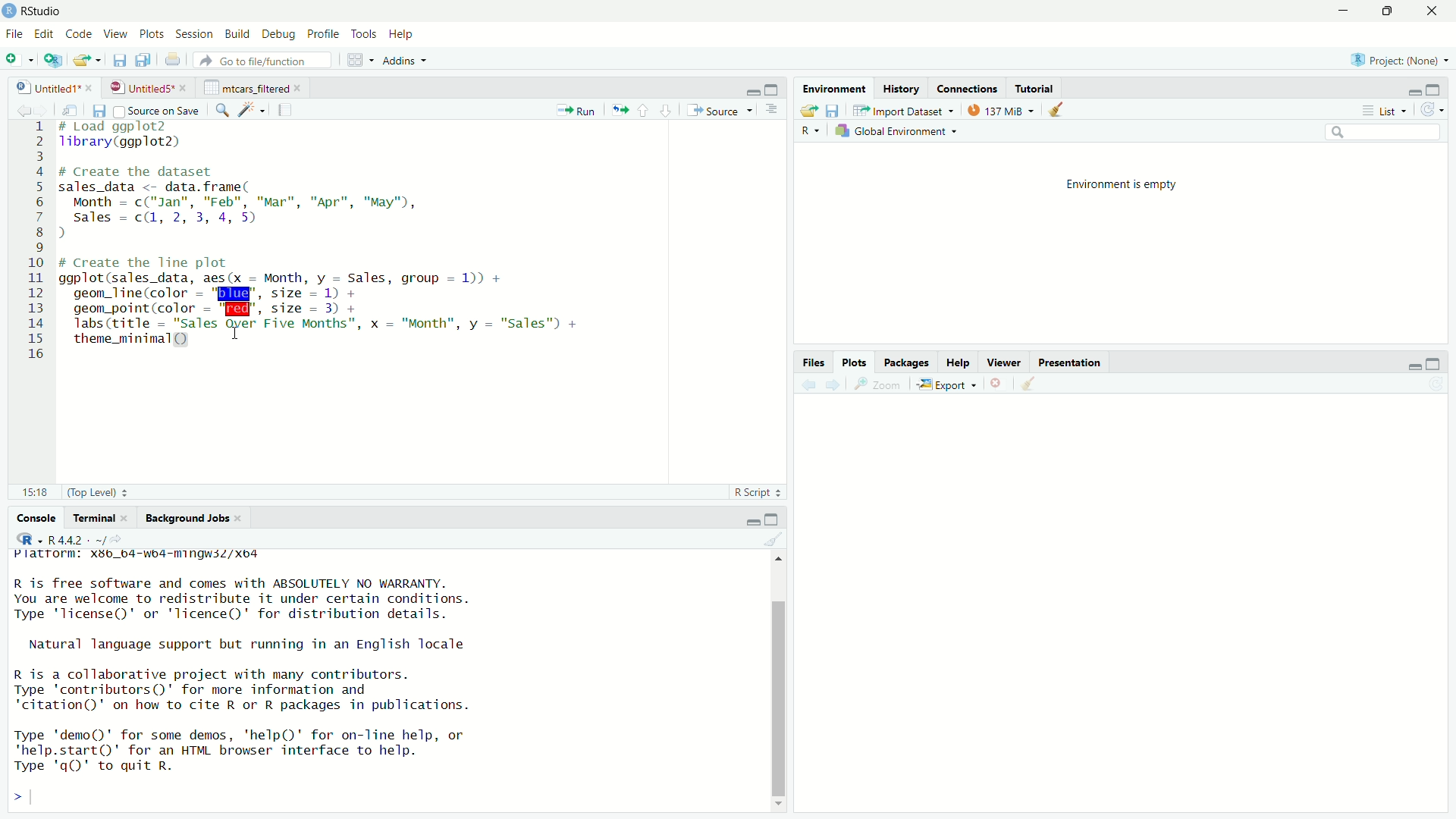 This screenshot has height=819, width=1456. What do you see at coordinates (404, 36) in the screenshot?
I see `help` at bounding box center [404, 36].